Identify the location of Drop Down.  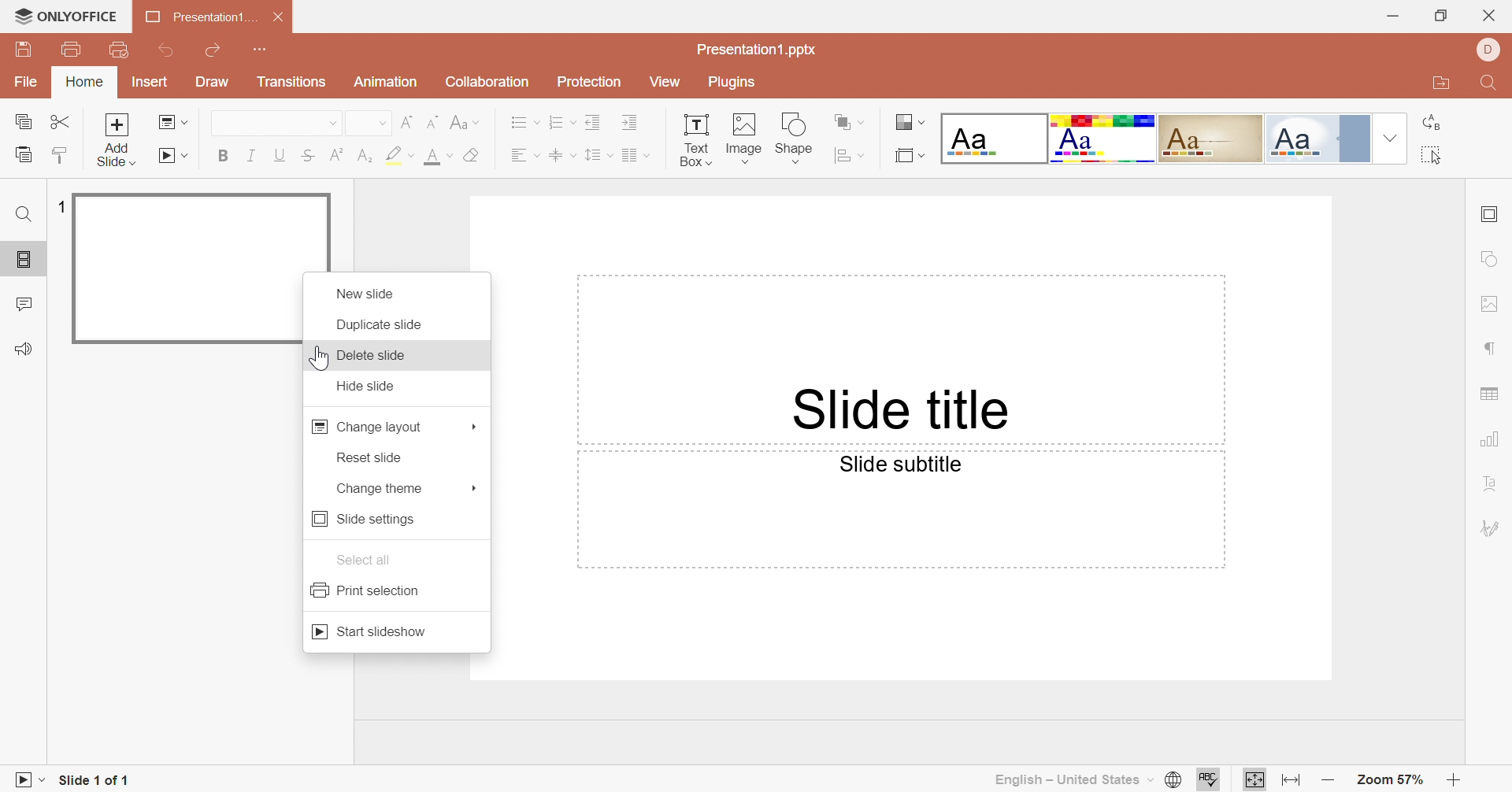
(648, 156).